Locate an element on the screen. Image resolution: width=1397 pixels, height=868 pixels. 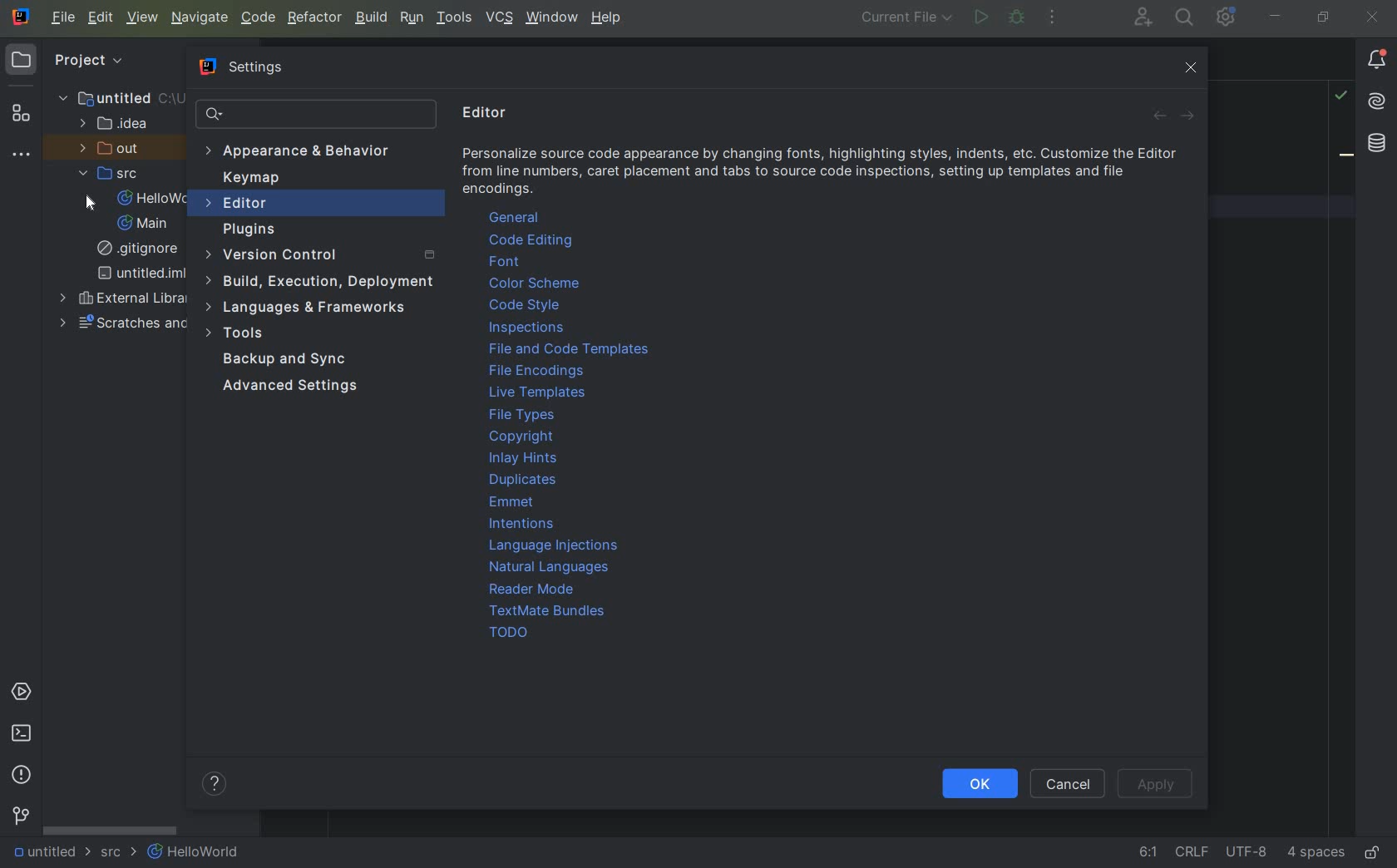
version control is located at coordinates (273, 257).